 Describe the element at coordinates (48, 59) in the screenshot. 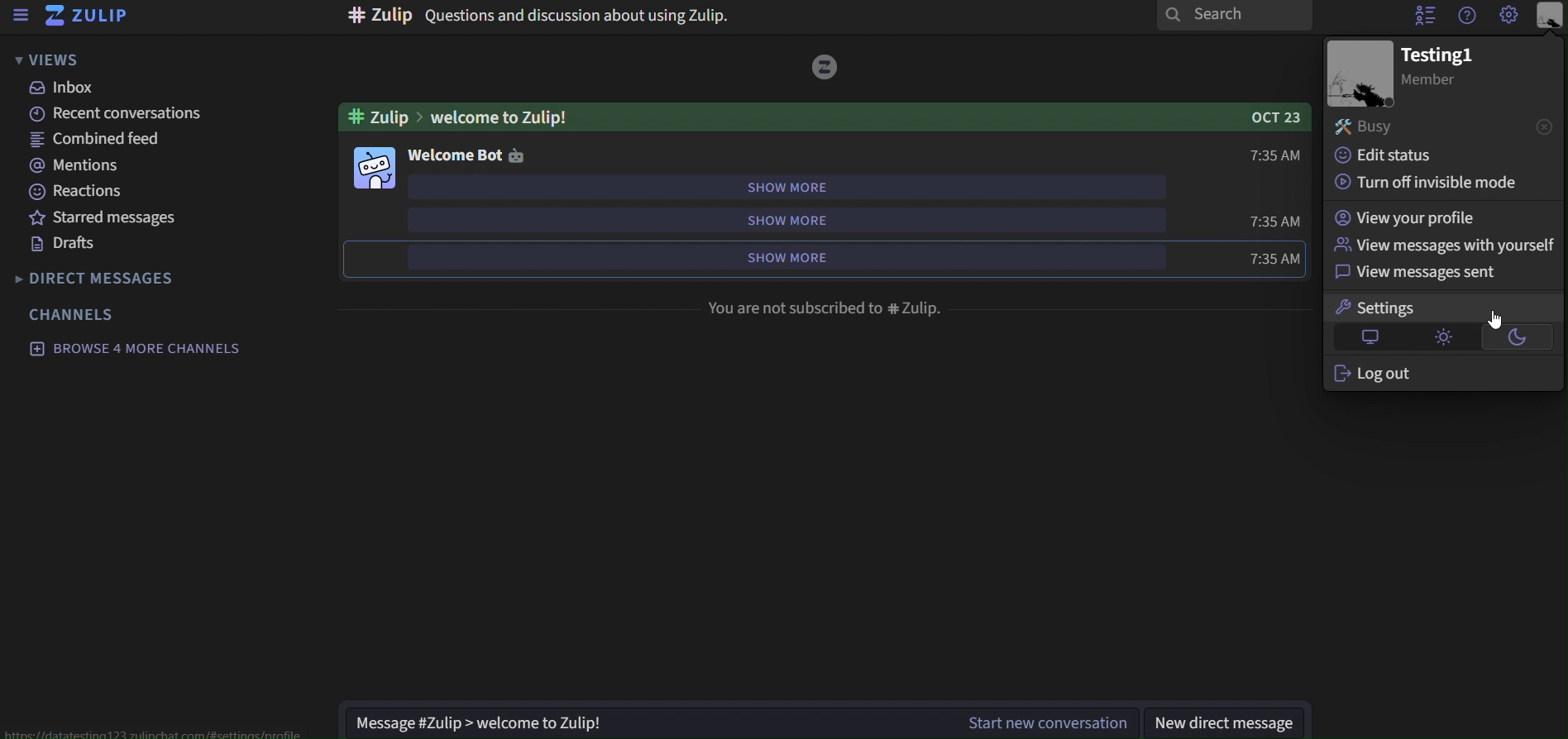

I see `view` at that location.